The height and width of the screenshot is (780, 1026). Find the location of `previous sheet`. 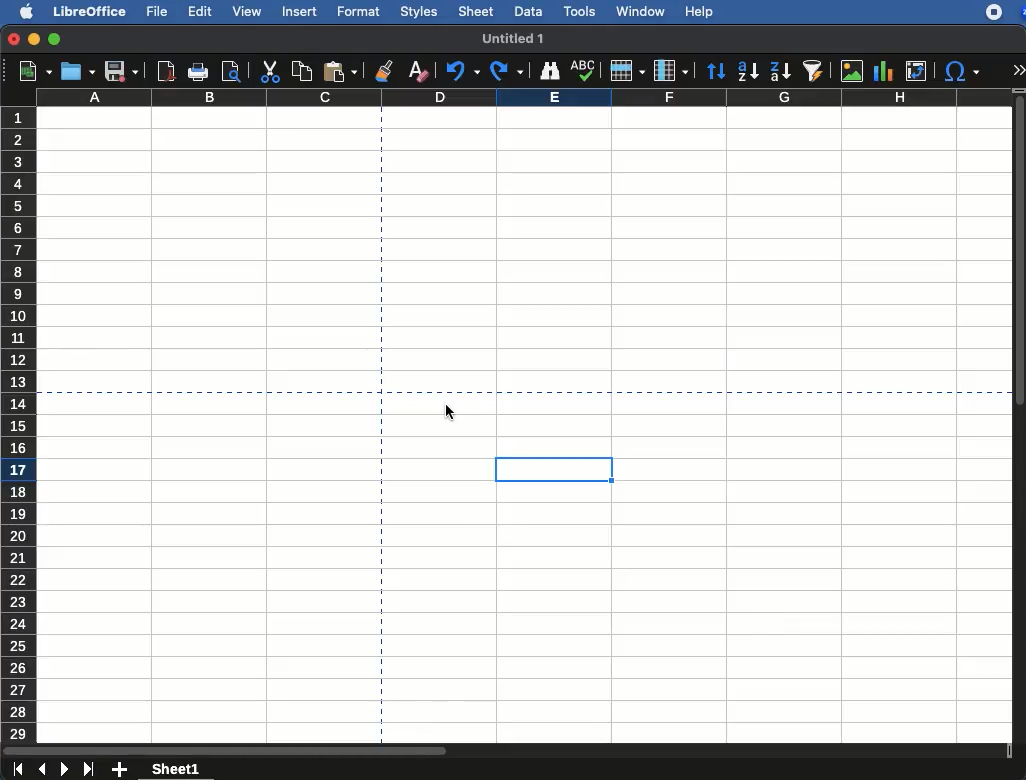

previous sheet is located at coordinates (43, 770).